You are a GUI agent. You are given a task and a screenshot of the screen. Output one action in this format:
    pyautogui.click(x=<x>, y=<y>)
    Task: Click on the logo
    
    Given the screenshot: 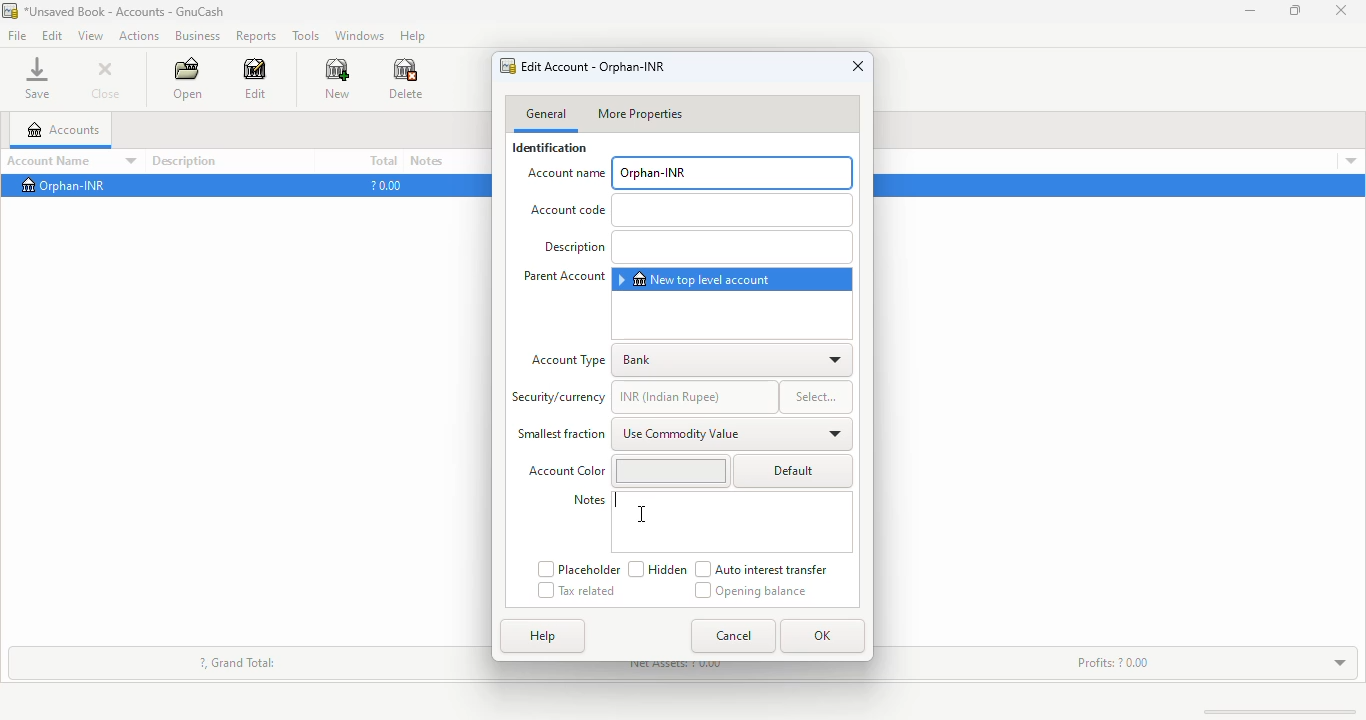 What is the action you would take?
    pyautogui.click(x=507, y=66)
    